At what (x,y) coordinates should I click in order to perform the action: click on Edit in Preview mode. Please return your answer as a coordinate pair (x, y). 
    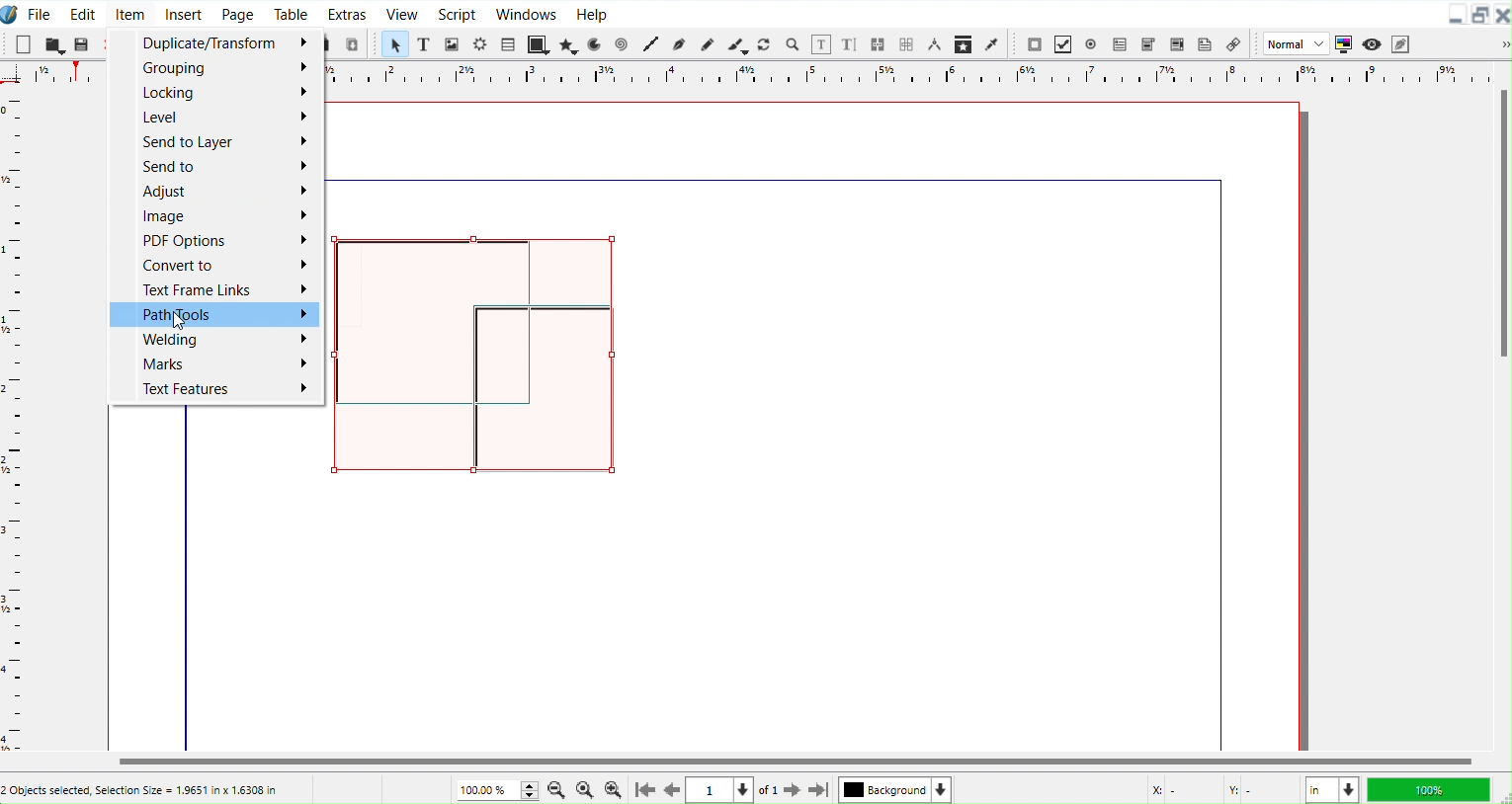
    Looking at the image, I should click on (1400, 42).